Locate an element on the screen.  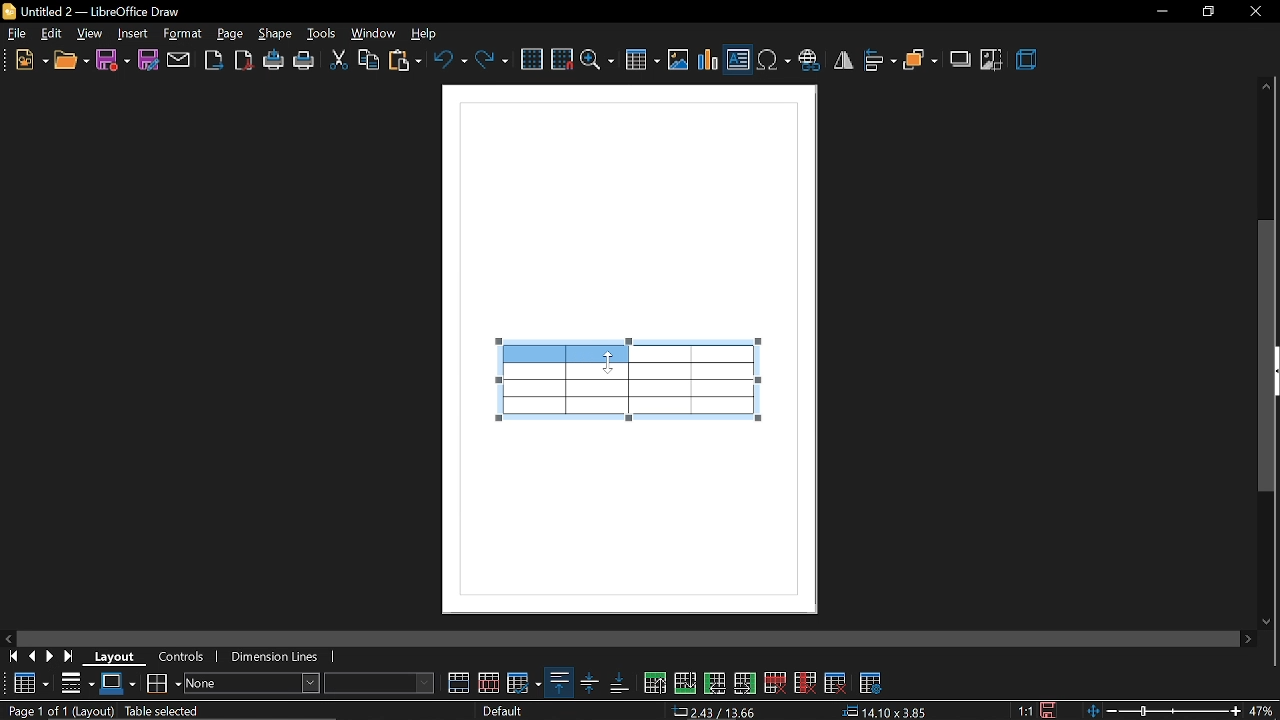
help is located at coordinates (429, 33).